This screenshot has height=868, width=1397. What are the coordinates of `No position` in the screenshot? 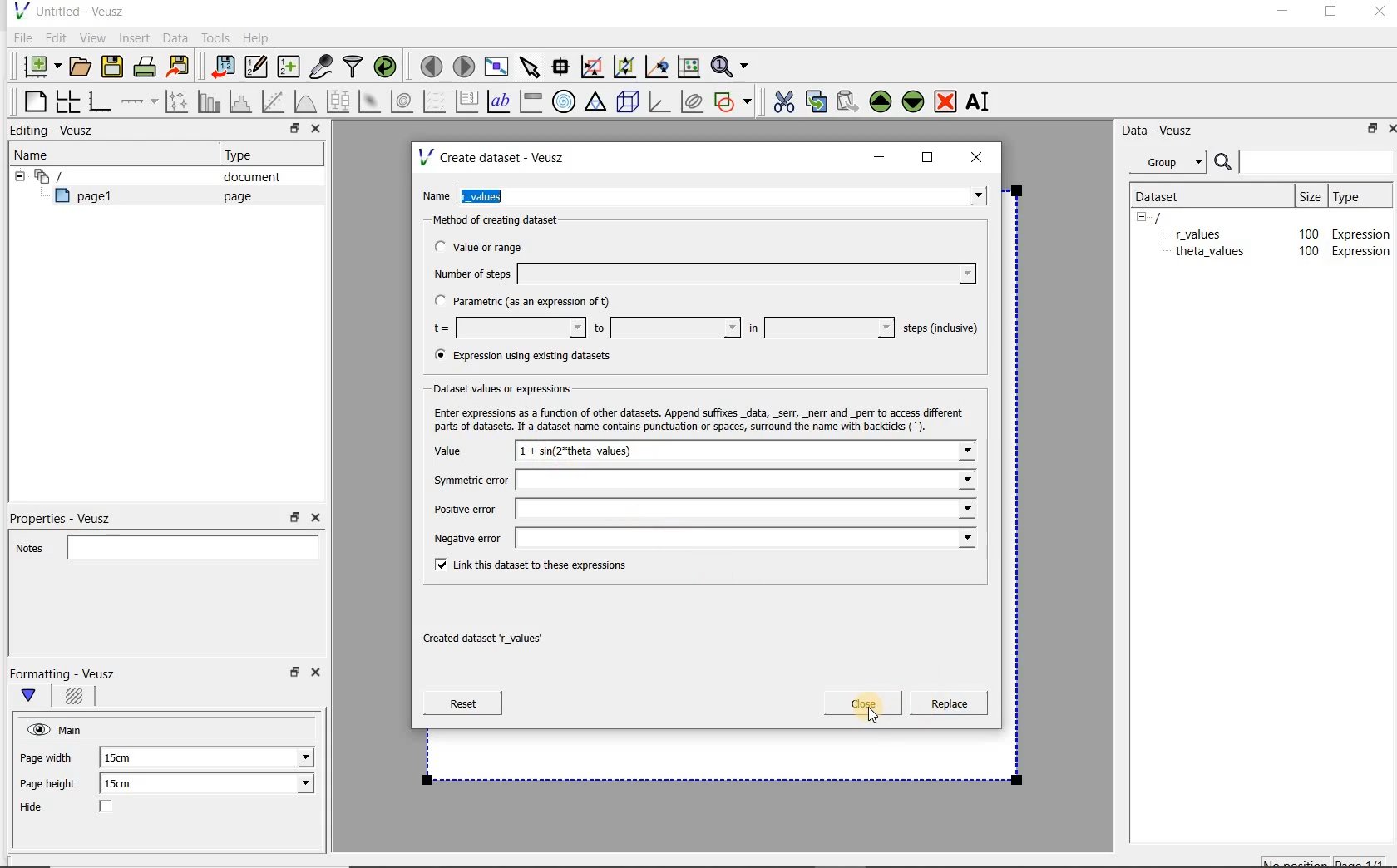 It's located at (1297, 861).